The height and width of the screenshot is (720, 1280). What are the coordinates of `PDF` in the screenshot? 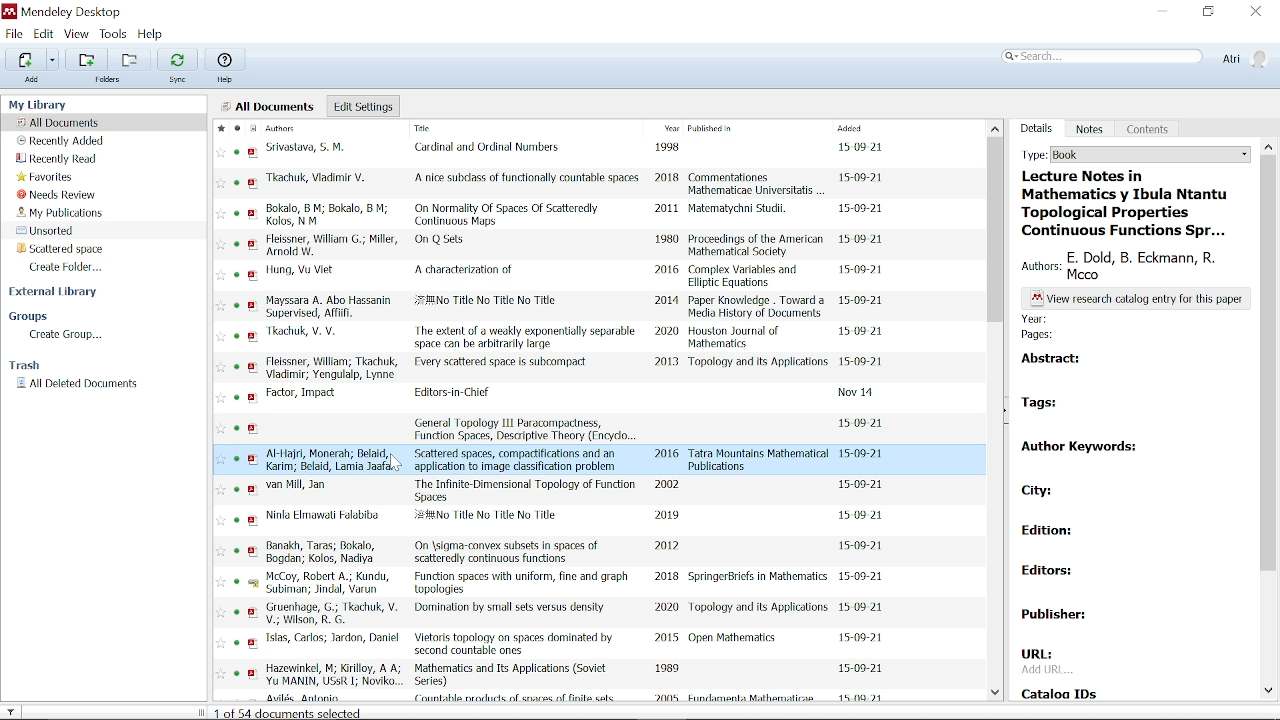 It's located at (251, 411).